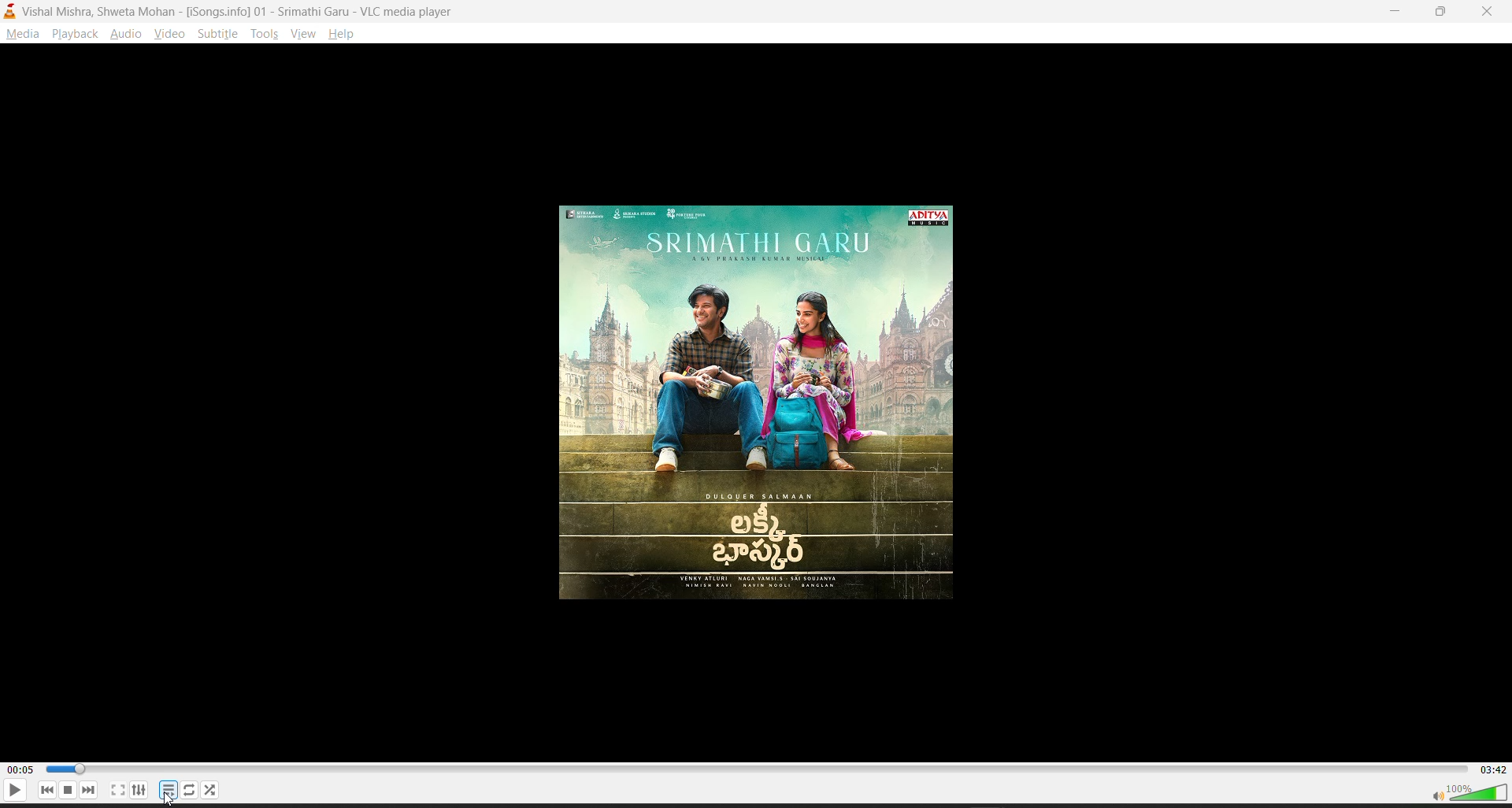 The image size is (1512, 808). I want to click on next, so click(91, 790).